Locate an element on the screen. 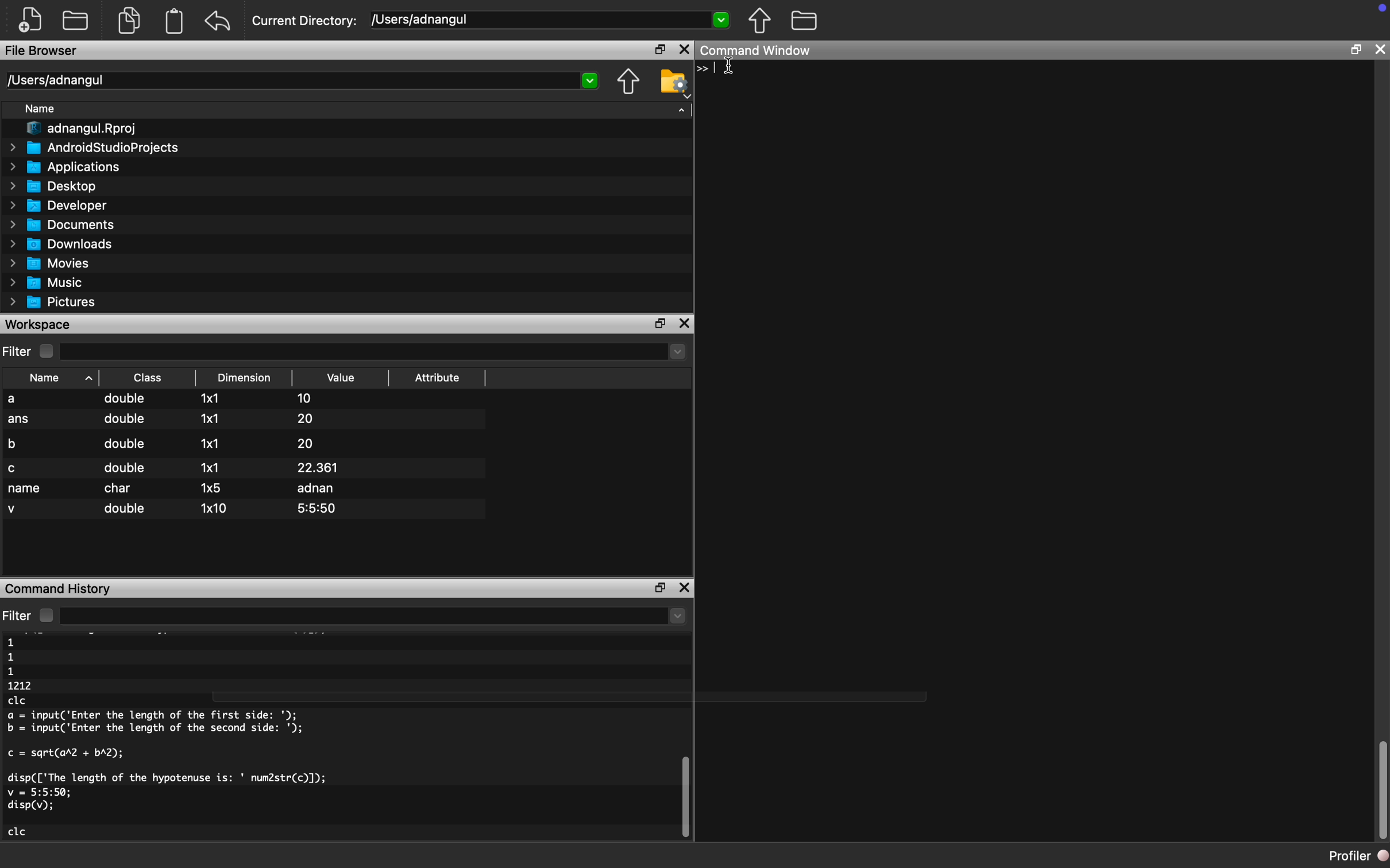  Back is located at coordinates (219, 21).